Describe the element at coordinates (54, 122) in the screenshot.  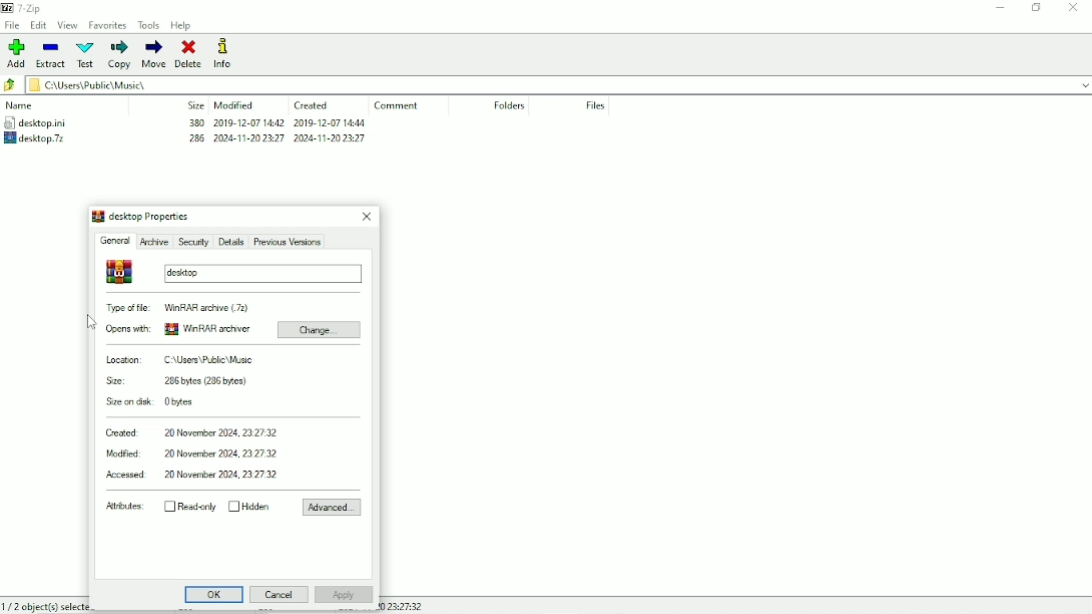
I see `desktop.ini` at that location.